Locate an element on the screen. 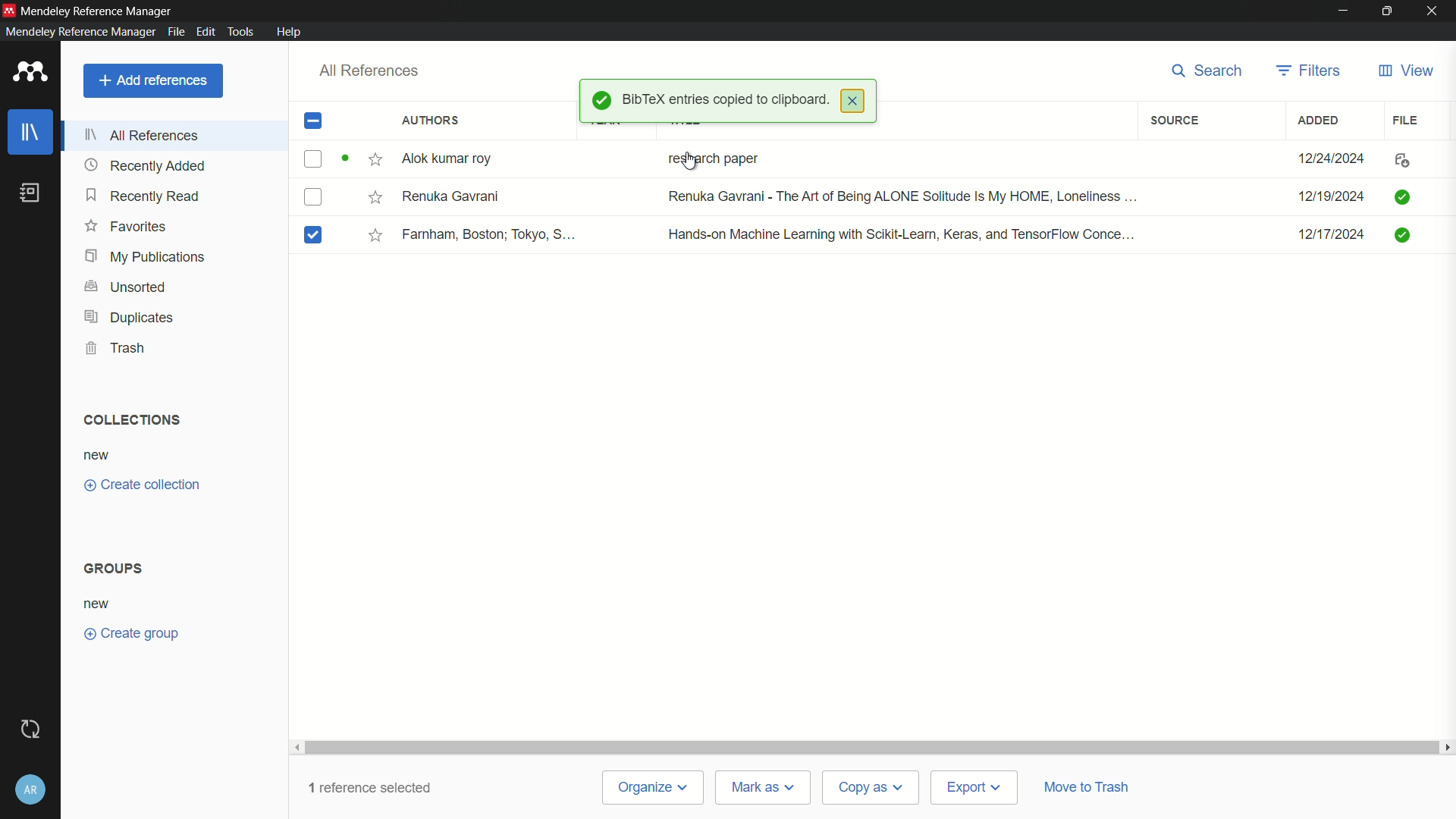 This screenshot has width=1456, height=819. Mendeley Reference Manager is located at coordinates (102, 9).